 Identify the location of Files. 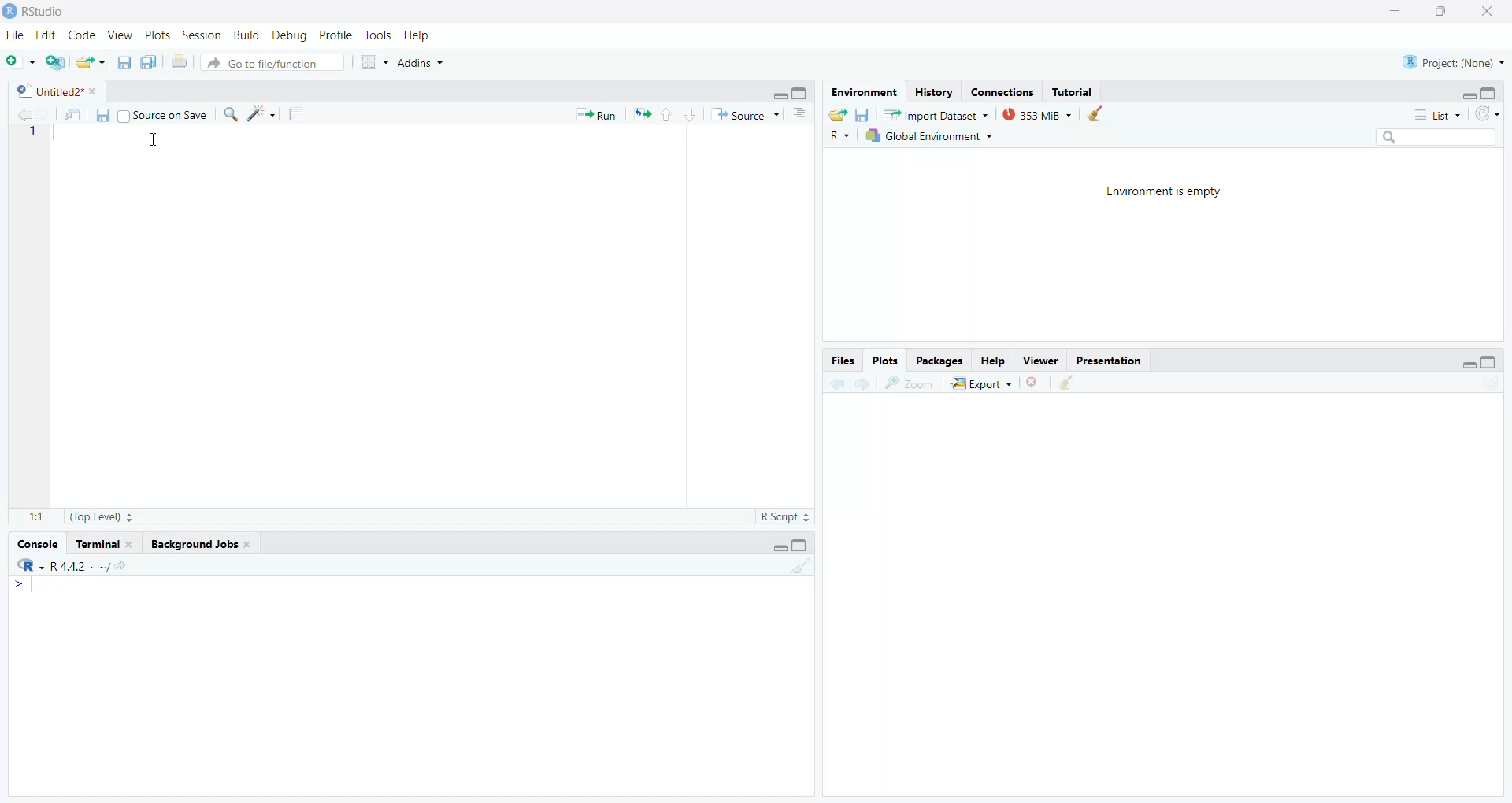
(840, 361).